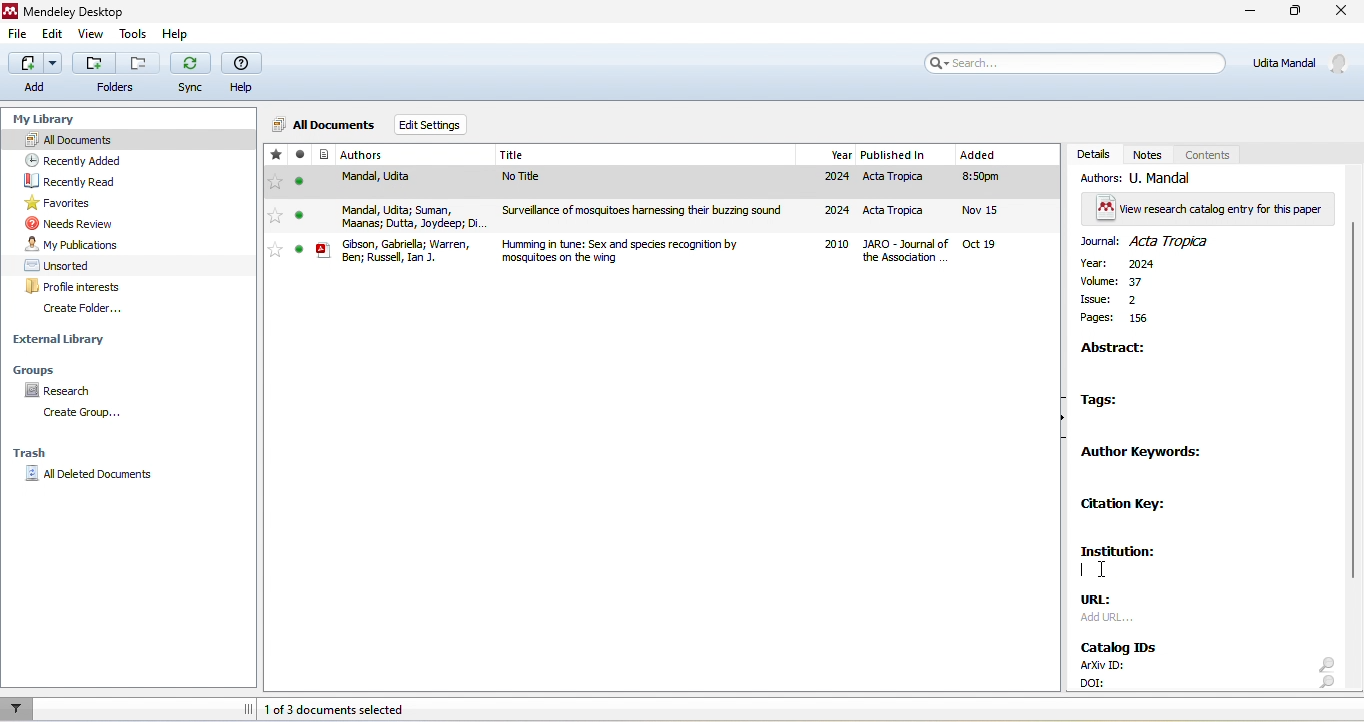 This screenshot has height=722, width=1364. What do you see at coordinates (1209, 208) in the screenshot?
I see `view research catalog` at bounding box center [1209, 208].